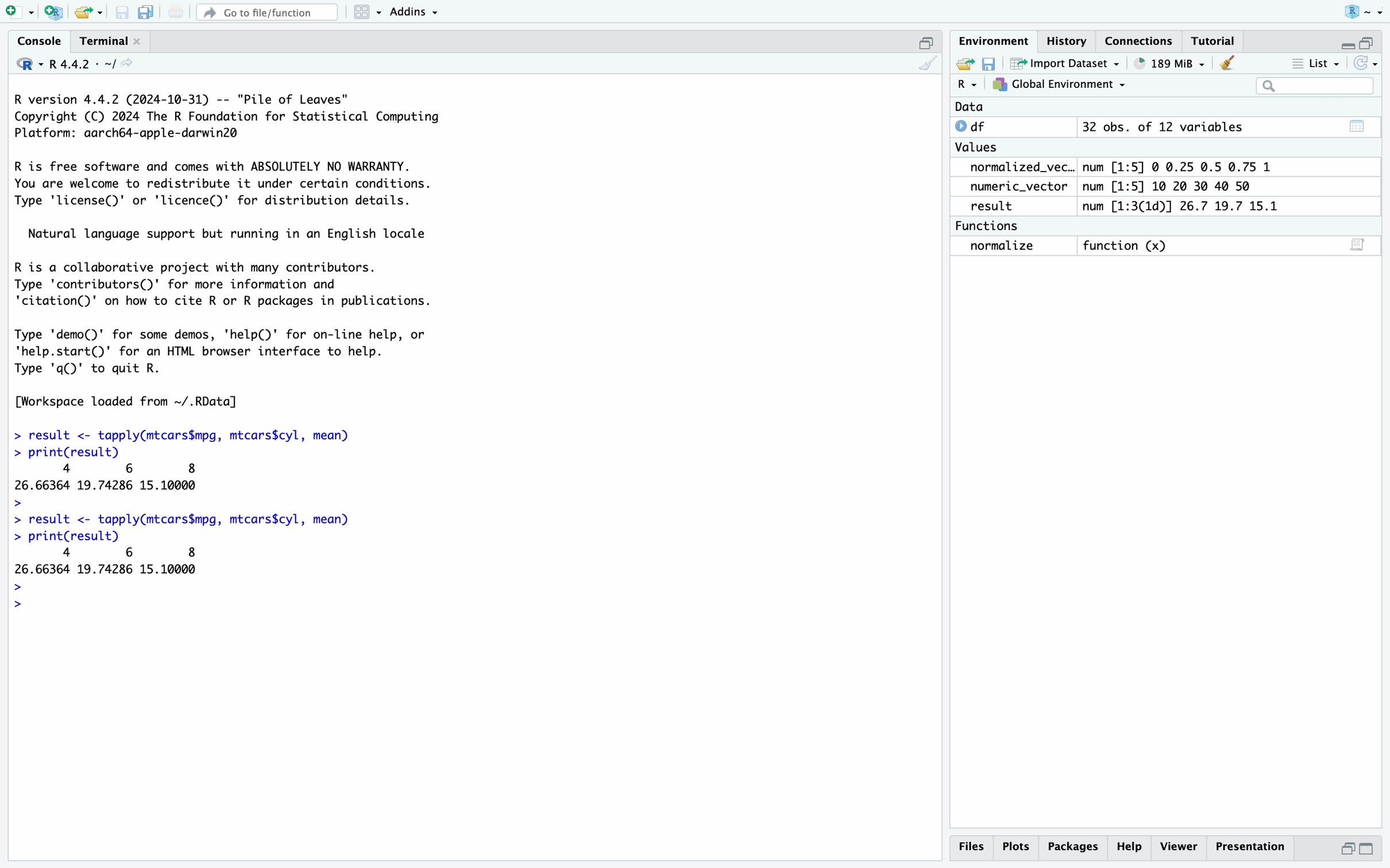  What do you see at coordinates (1347, 848) in the screenshot?
I see `Half height` at bounding box center [1347, 848].